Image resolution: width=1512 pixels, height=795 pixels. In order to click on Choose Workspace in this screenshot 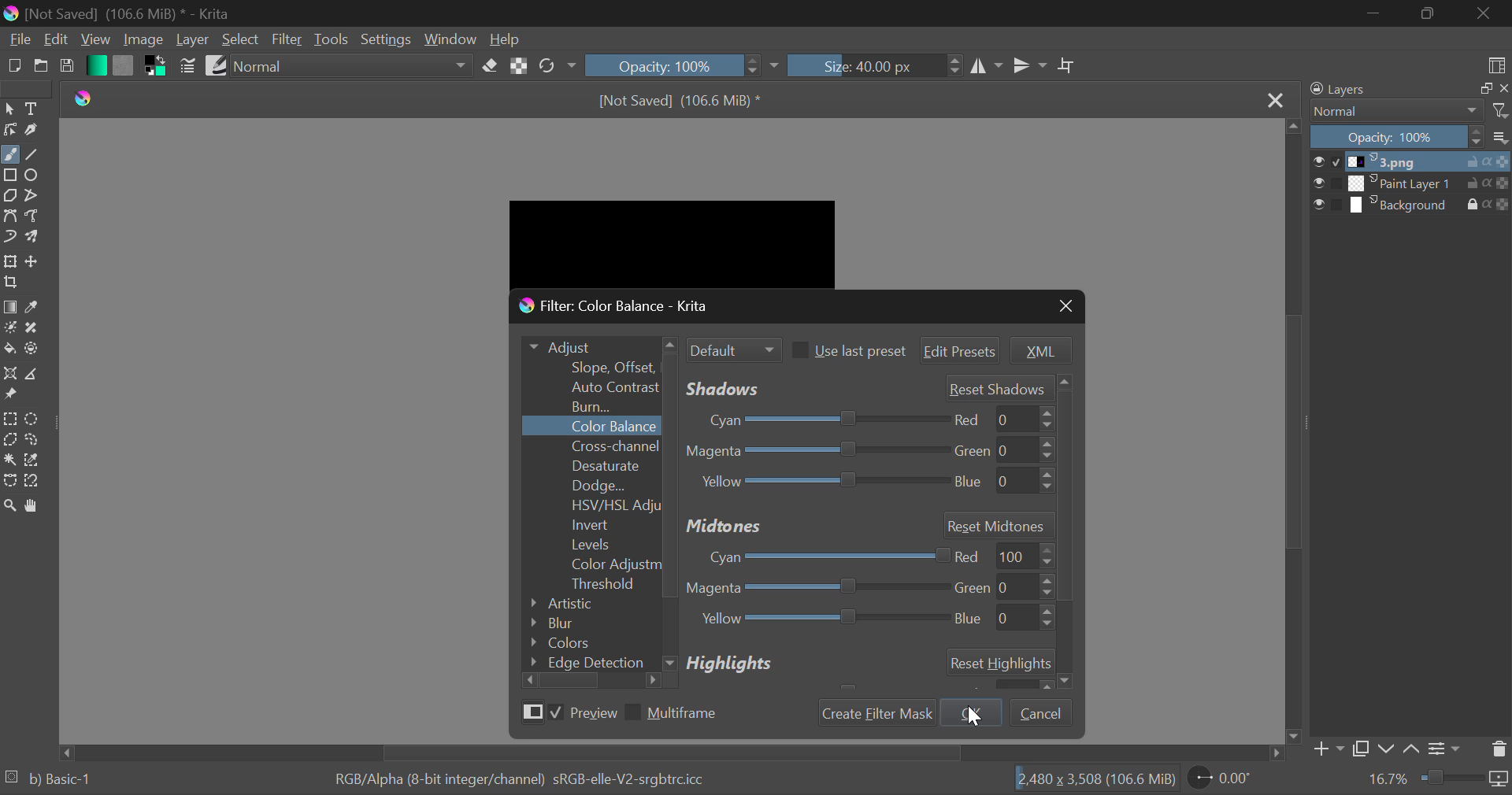, I will do `click(1498, 64)`.